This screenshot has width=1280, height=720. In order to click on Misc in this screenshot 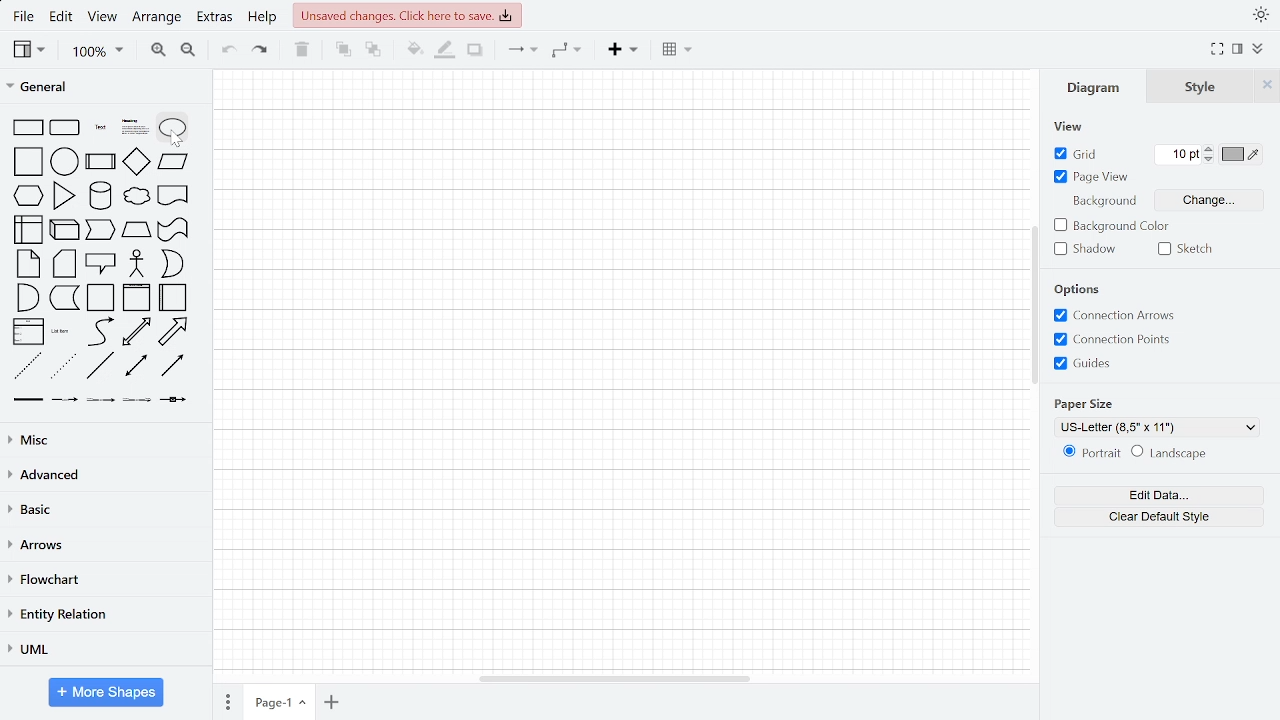, I will do `click(101, 440)`.